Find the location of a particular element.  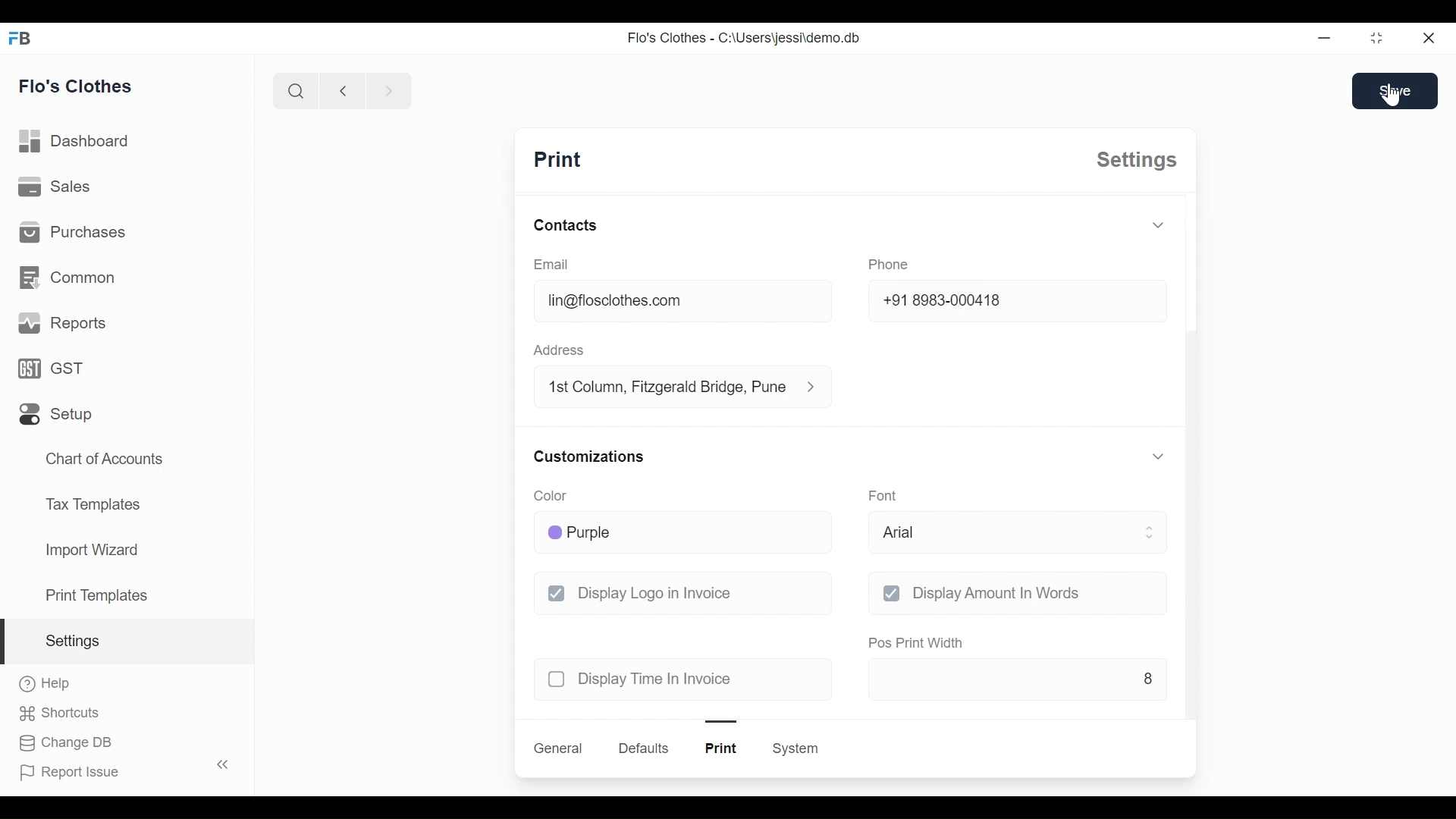

purchases is located at coordinates (71, 231).